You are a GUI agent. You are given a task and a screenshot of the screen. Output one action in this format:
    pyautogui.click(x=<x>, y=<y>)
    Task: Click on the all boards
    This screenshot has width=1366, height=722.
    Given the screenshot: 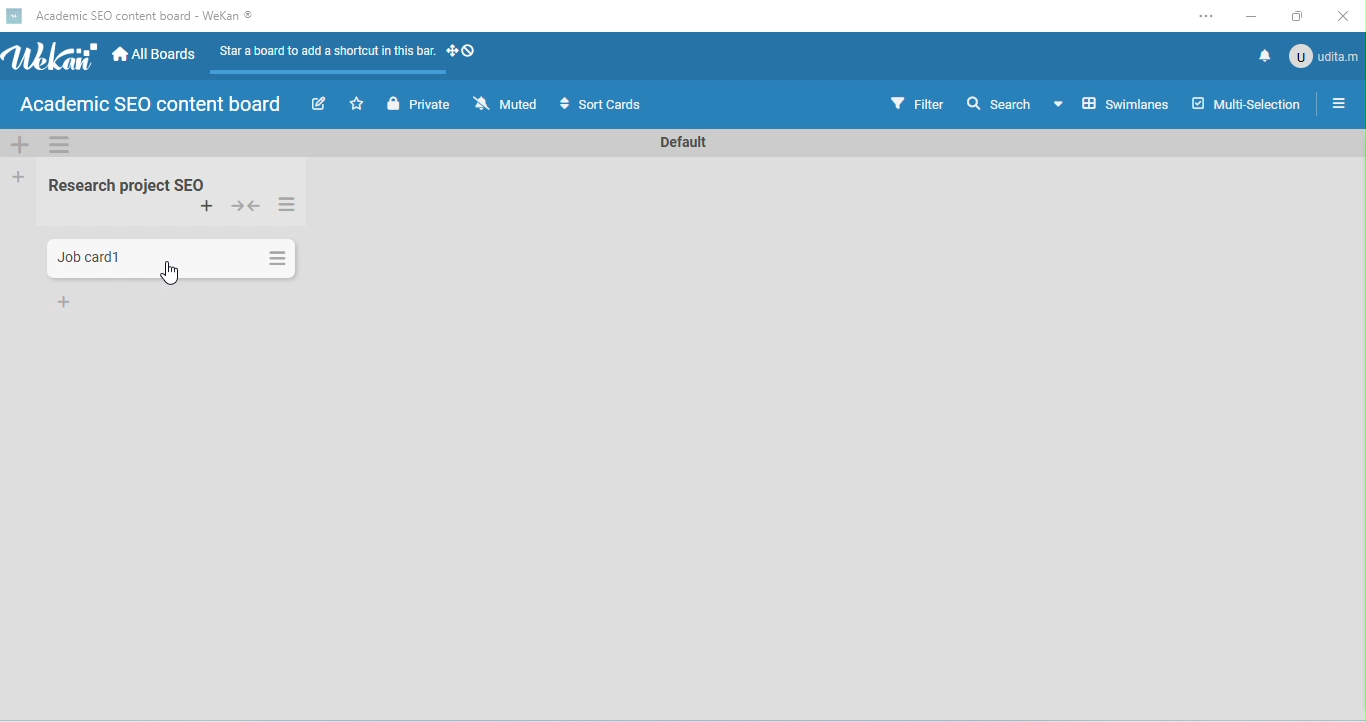 What is the action you would take?
    pyautogui.click(x=156, y=55)
    